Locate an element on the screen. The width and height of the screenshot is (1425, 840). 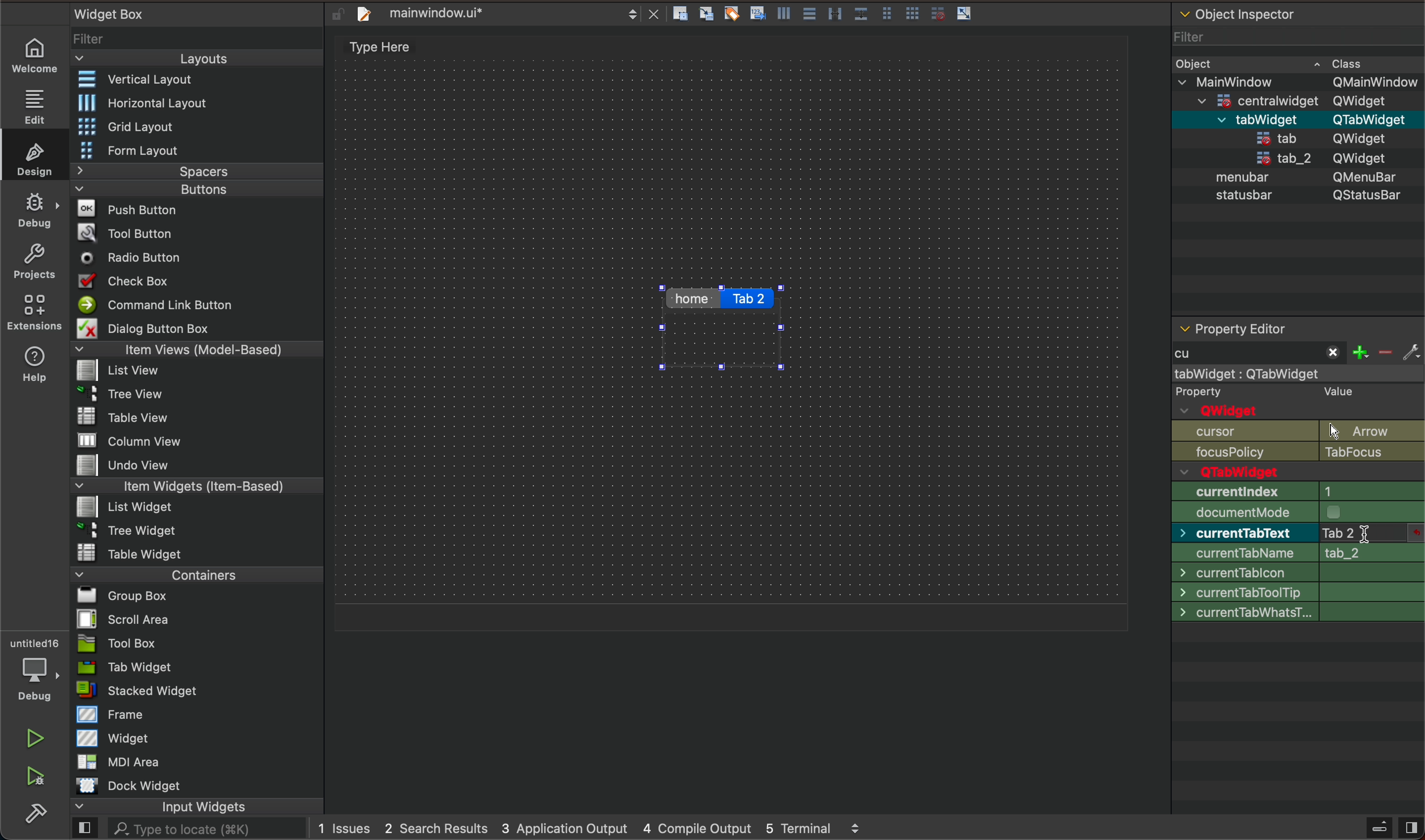
Scroll Area is located at coordinates (127, 618).